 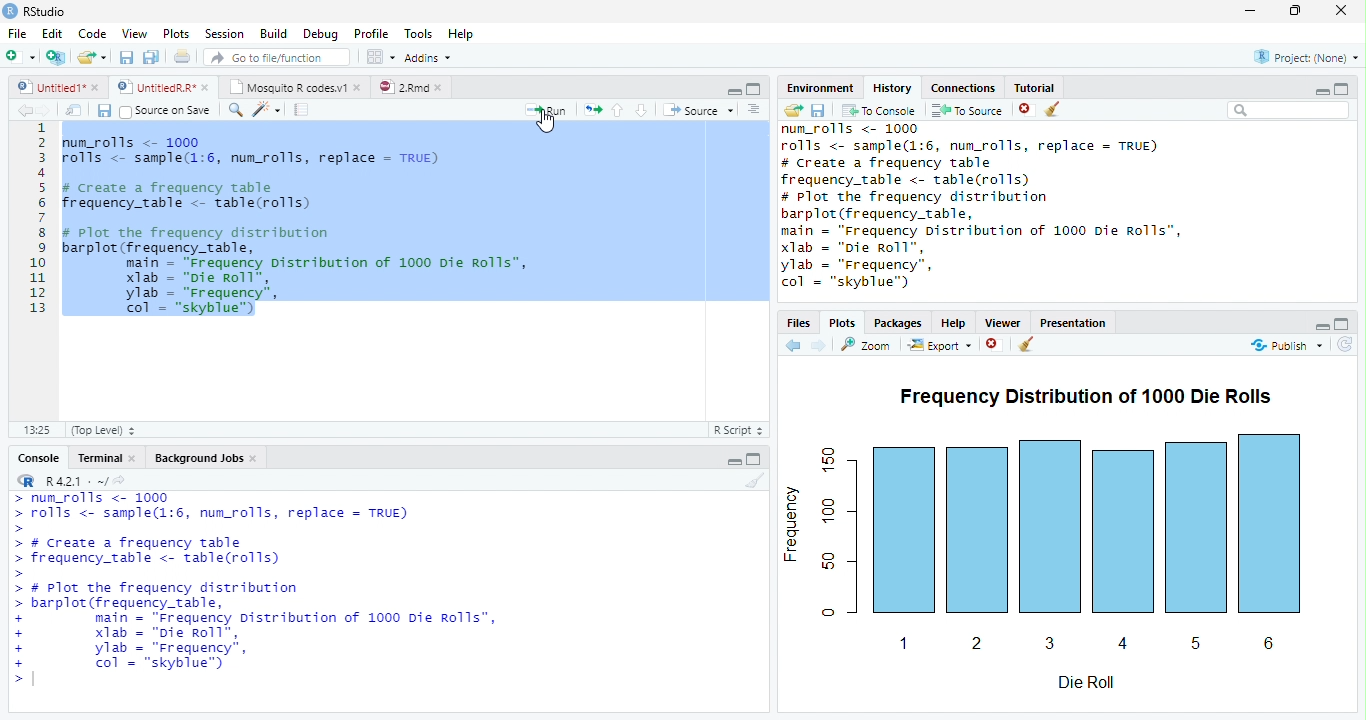 I want to click on 3, so click(x=1050, y=641).